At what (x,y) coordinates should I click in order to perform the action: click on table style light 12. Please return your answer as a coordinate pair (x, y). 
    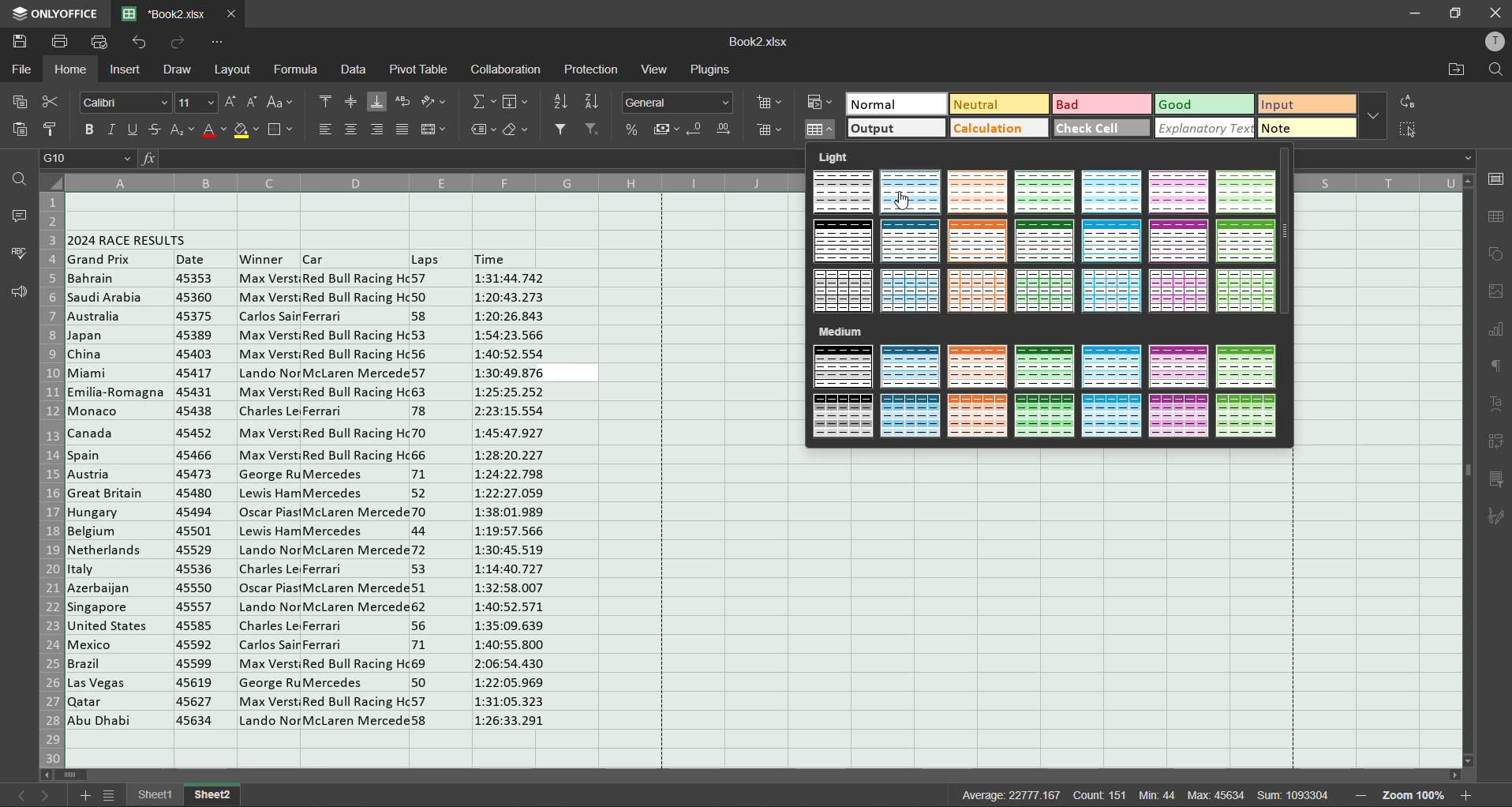
    Looking at the image, I should click on (1113, 242).